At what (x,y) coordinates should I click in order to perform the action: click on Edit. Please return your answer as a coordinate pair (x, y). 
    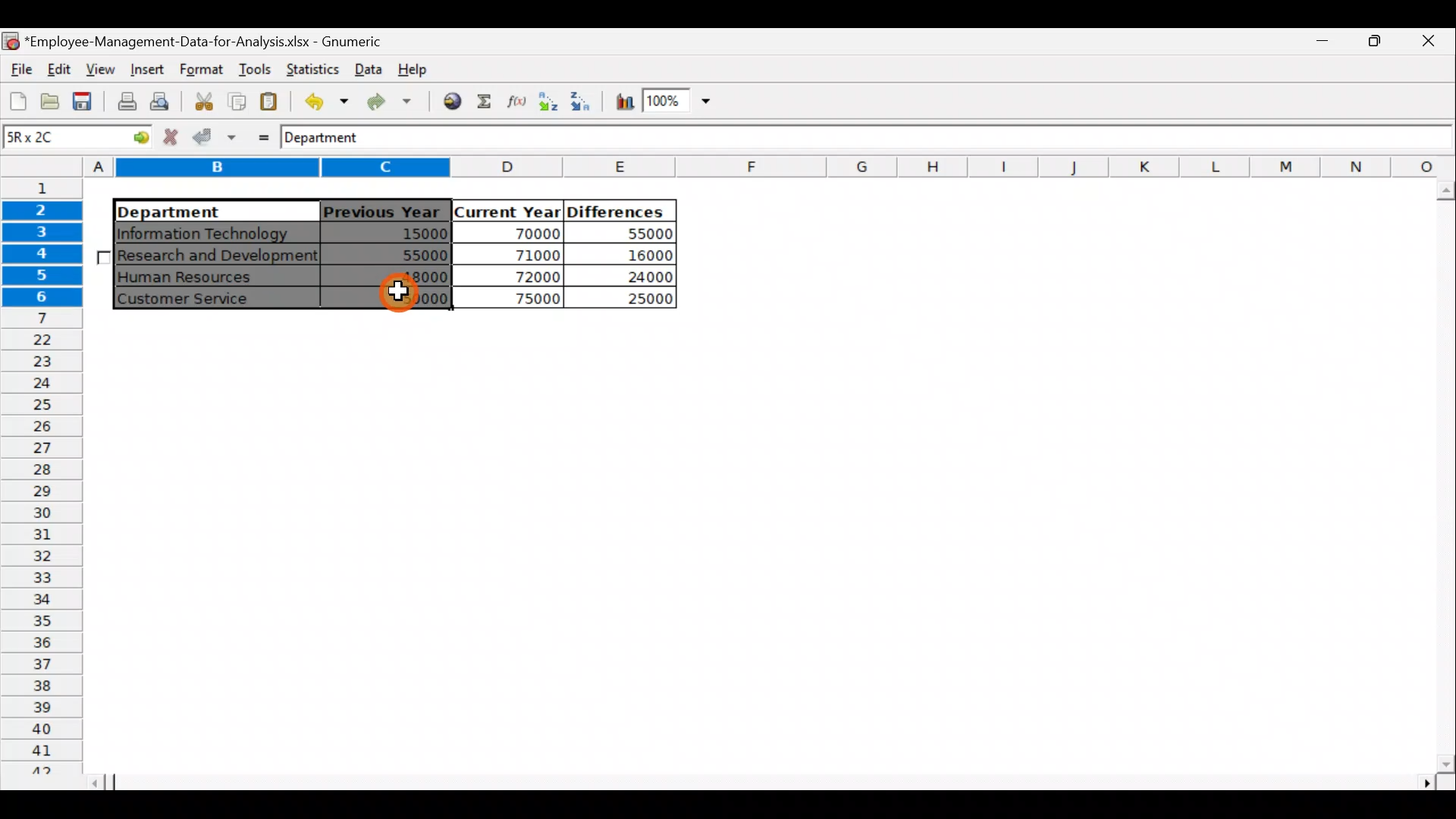
    Looking at the image, I should click on (61, 67).